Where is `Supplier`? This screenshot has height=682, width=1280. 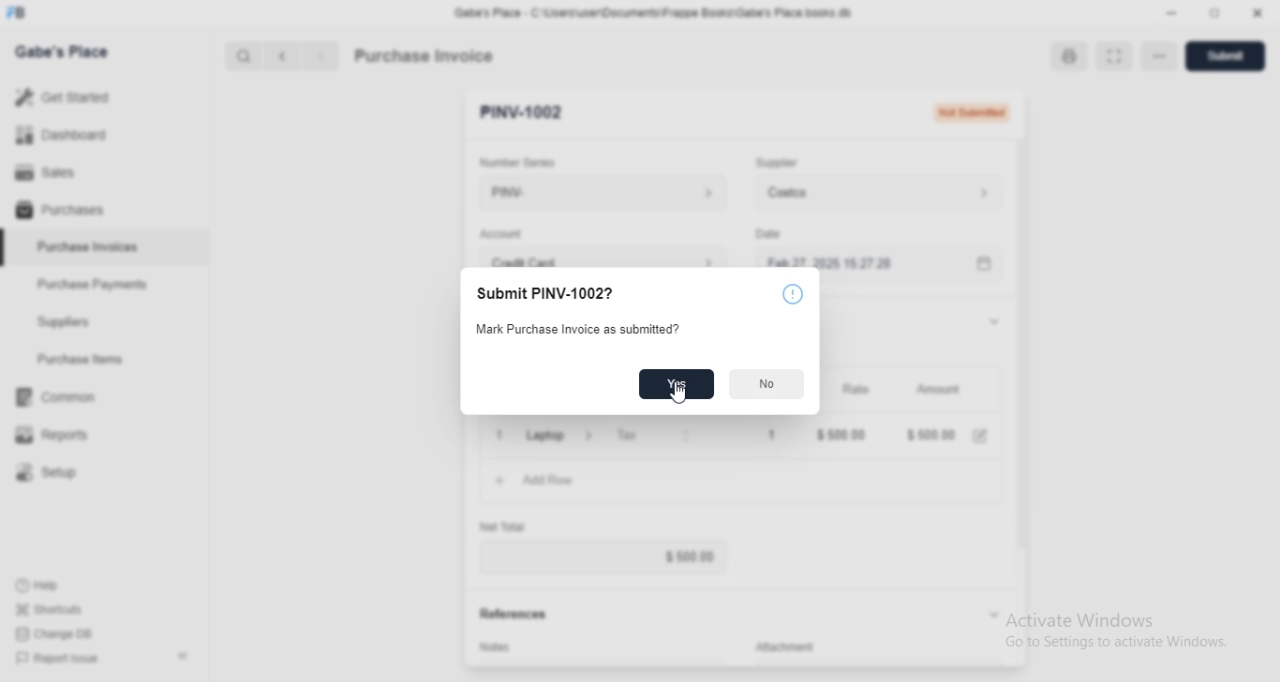
Supplier is located at coordinates (777, 163).